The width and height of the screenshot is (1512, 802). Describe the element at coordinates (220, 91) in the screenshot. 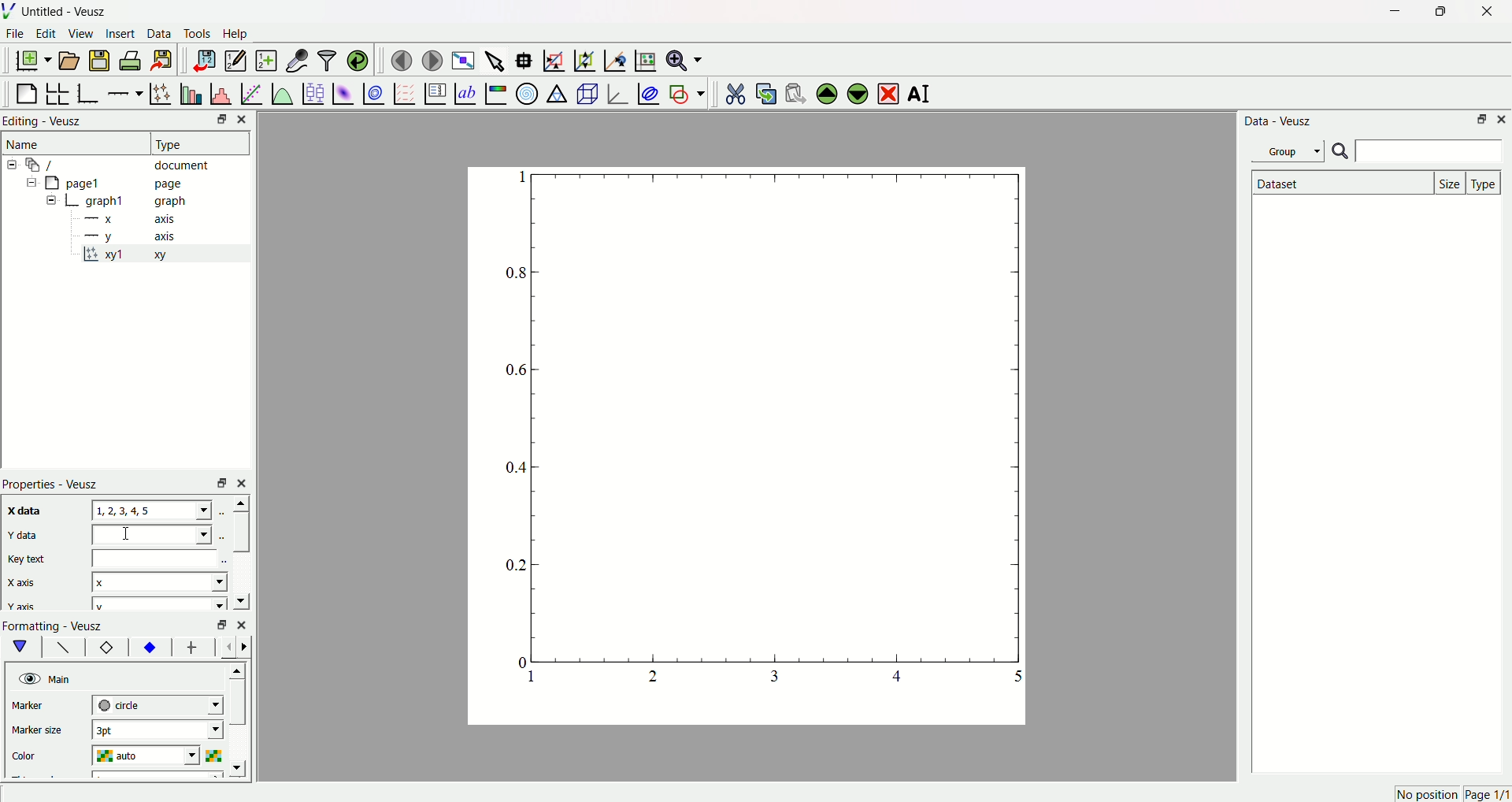

I see `histogram` at that location.